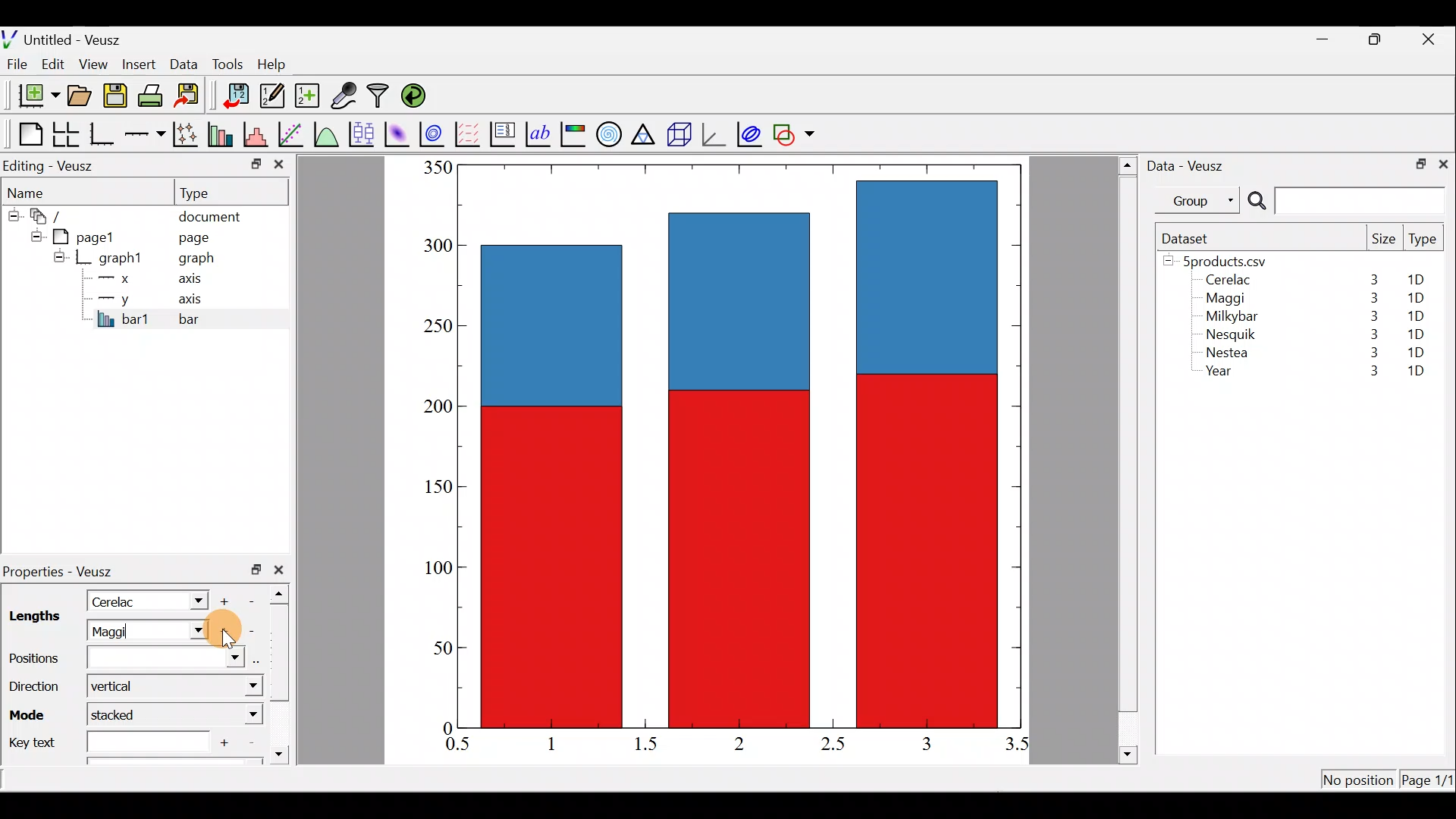  What do you see at coordinates (237, 96) in the screenshot?
I see `Import data into veusz` at bounding box center [237, 96].